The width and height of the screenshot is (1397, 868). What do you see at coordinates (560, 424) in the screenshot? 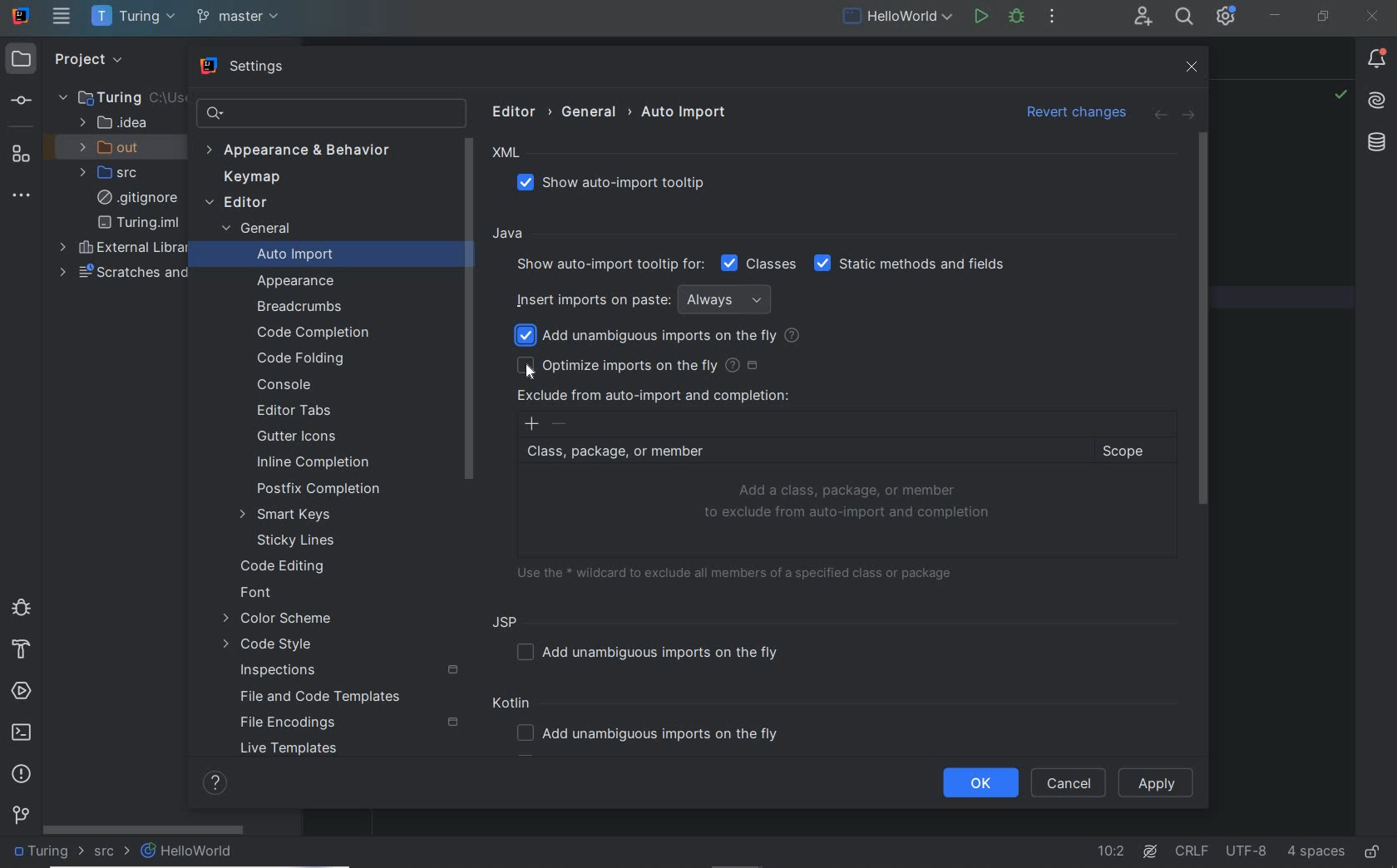
I see `REMOVE` at bounding box center [560, 424].